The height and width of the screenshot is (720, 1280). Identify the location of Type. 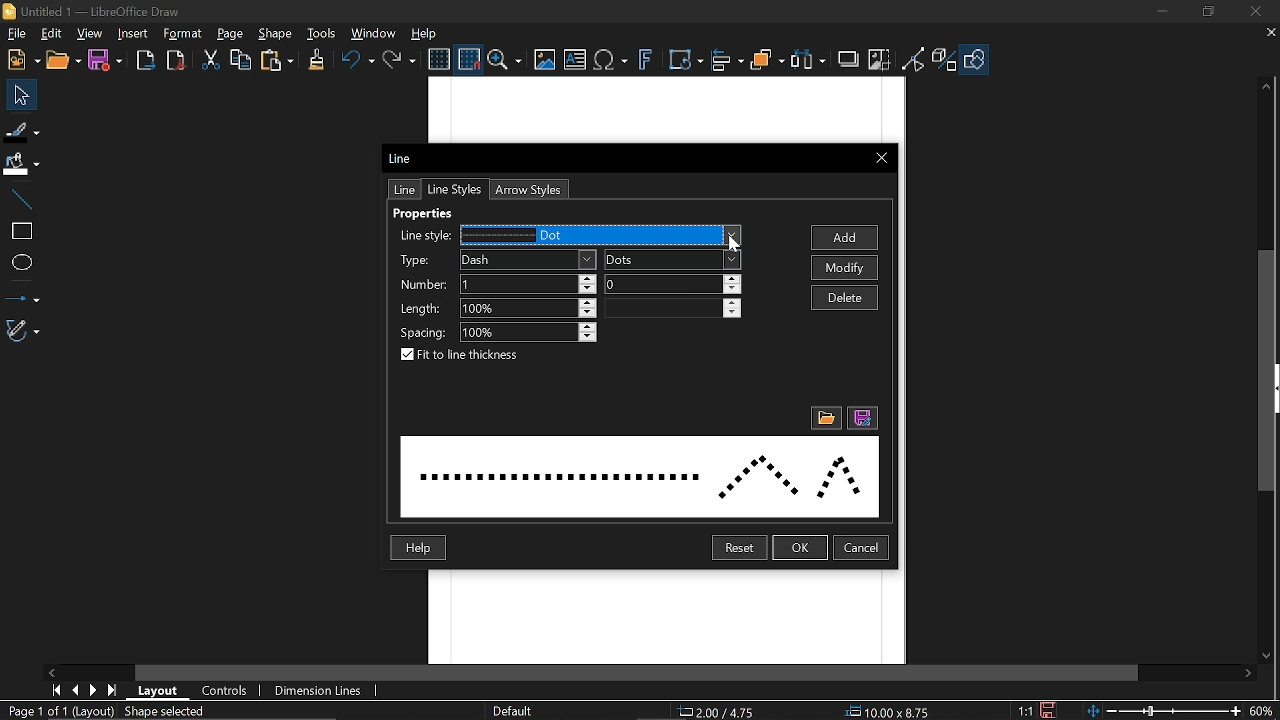
(528, 259).